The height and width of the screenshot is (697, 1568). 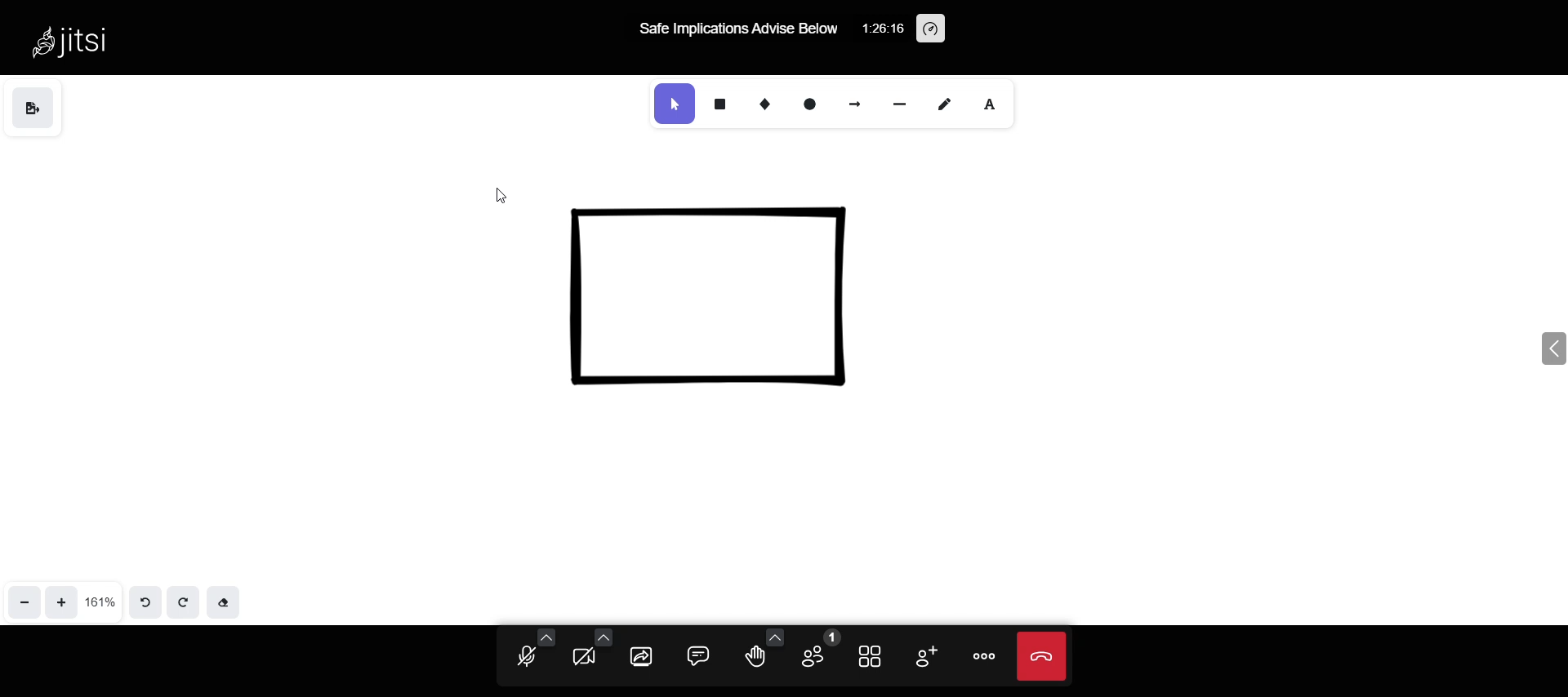 What do you see at coordinates (924, 659) in the screenshot?
I see `invite participants` at bounding box center [924, 659].